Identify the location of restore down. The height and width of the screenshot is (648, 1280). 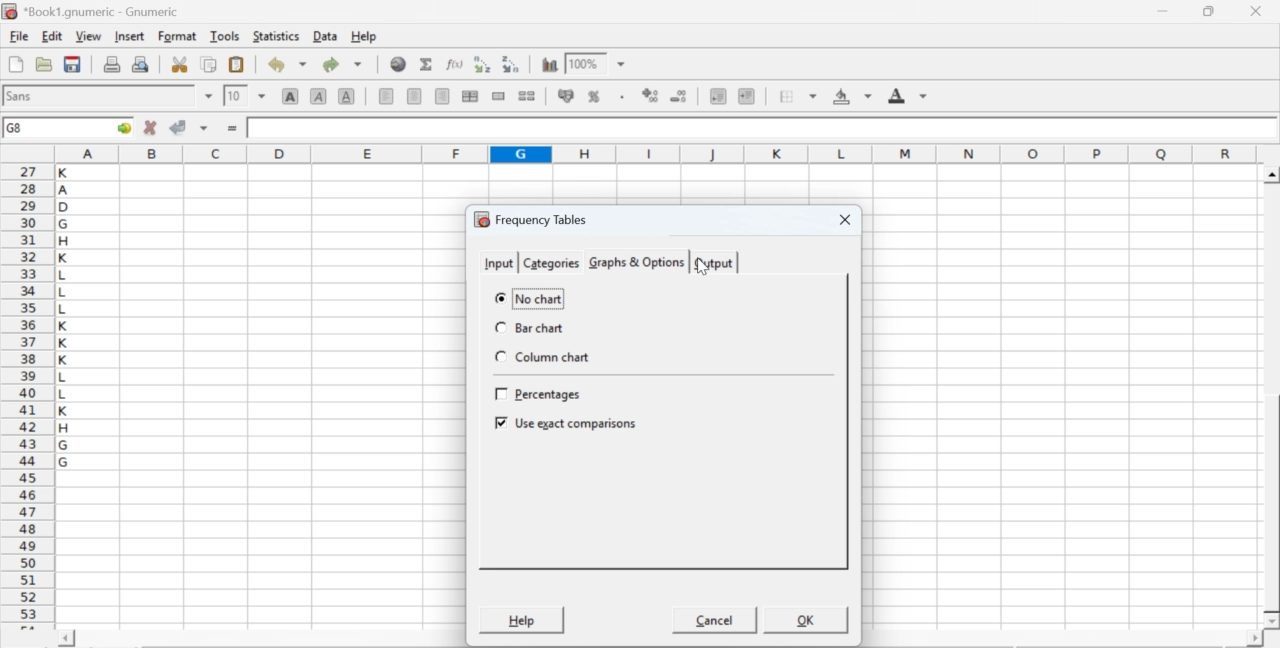
(1210, 12).